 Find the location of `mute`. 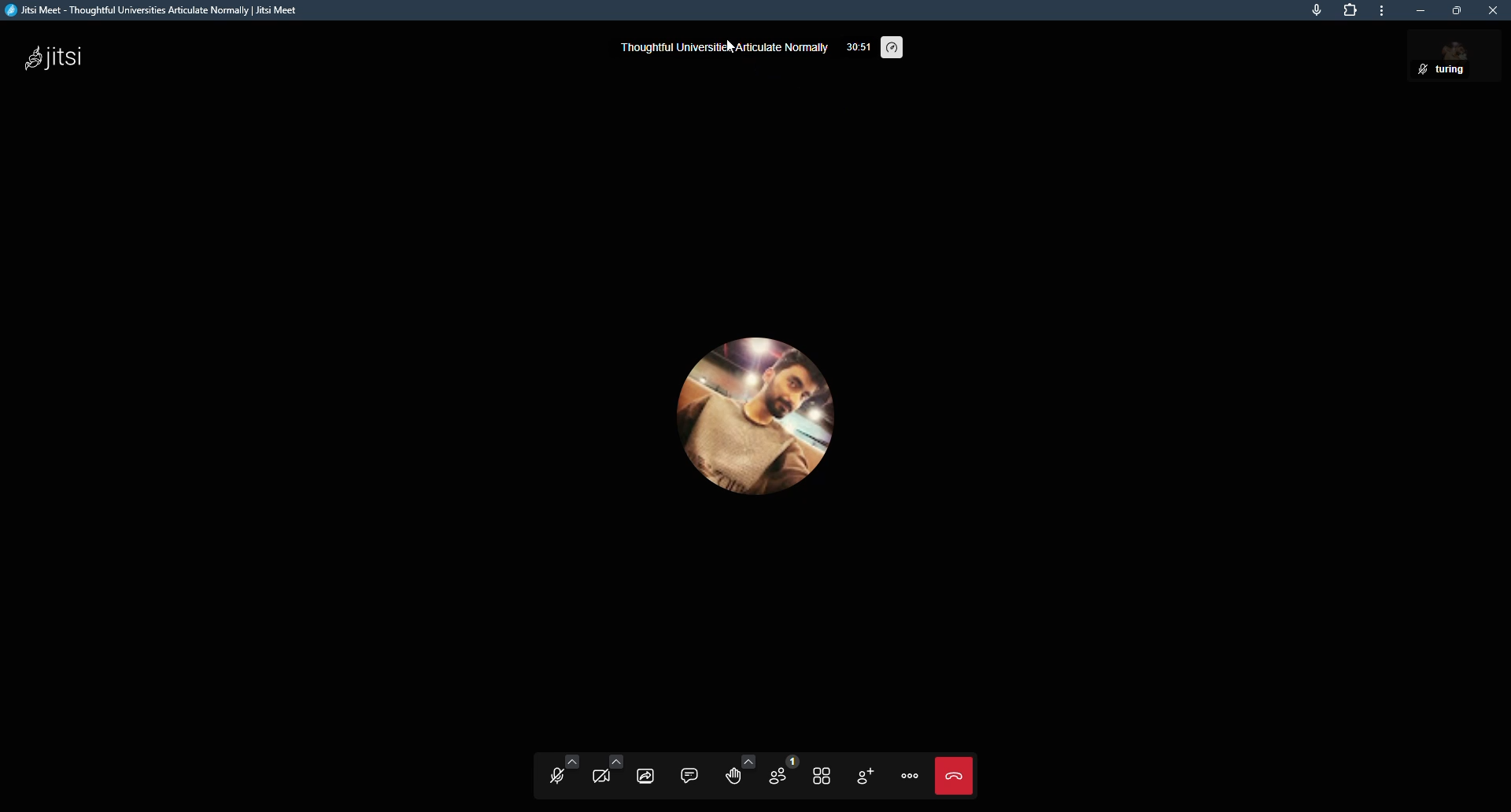

mute is located at coordinates (1419, 70).